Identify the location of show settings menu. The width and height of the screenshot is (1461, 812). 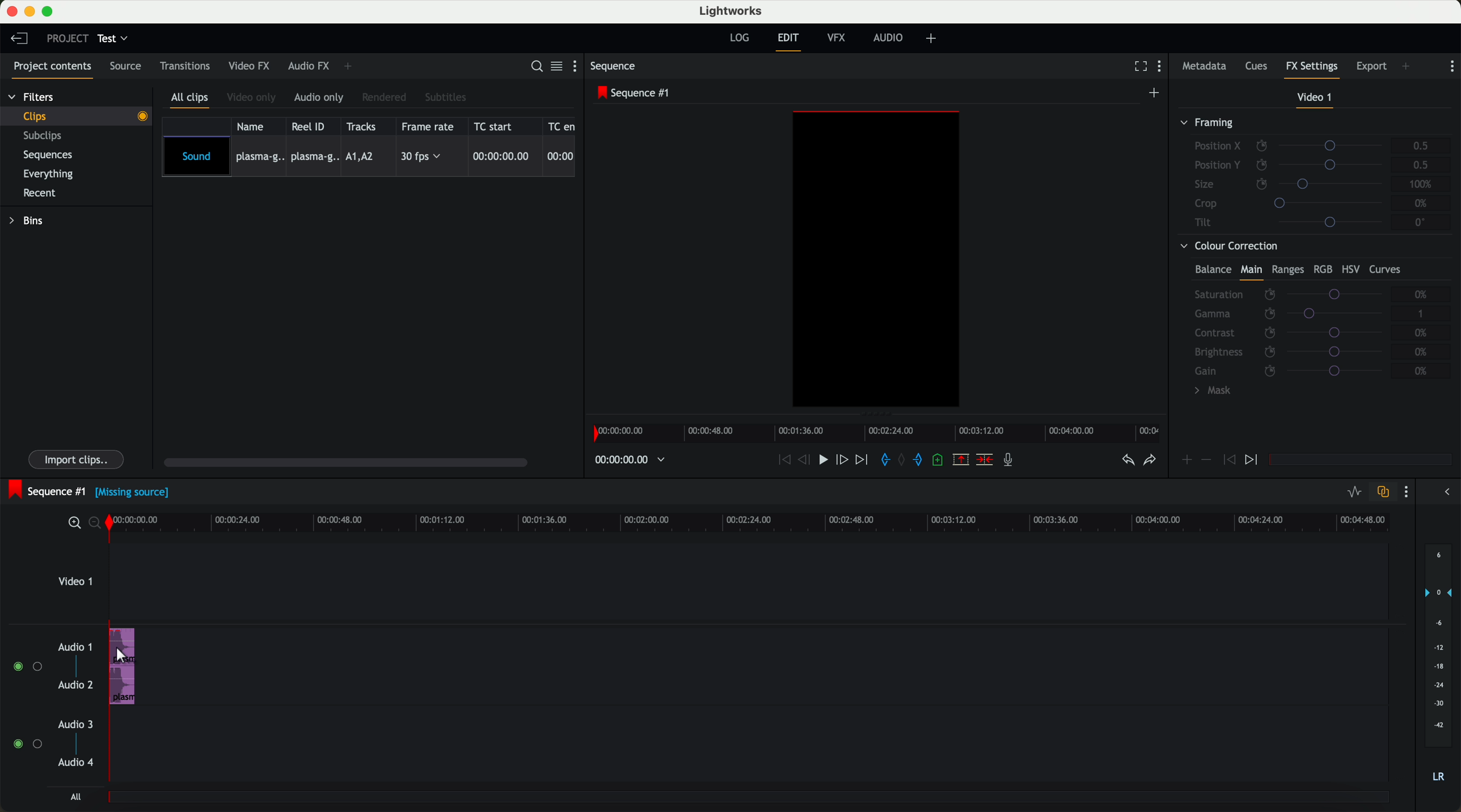
(1164, 68).